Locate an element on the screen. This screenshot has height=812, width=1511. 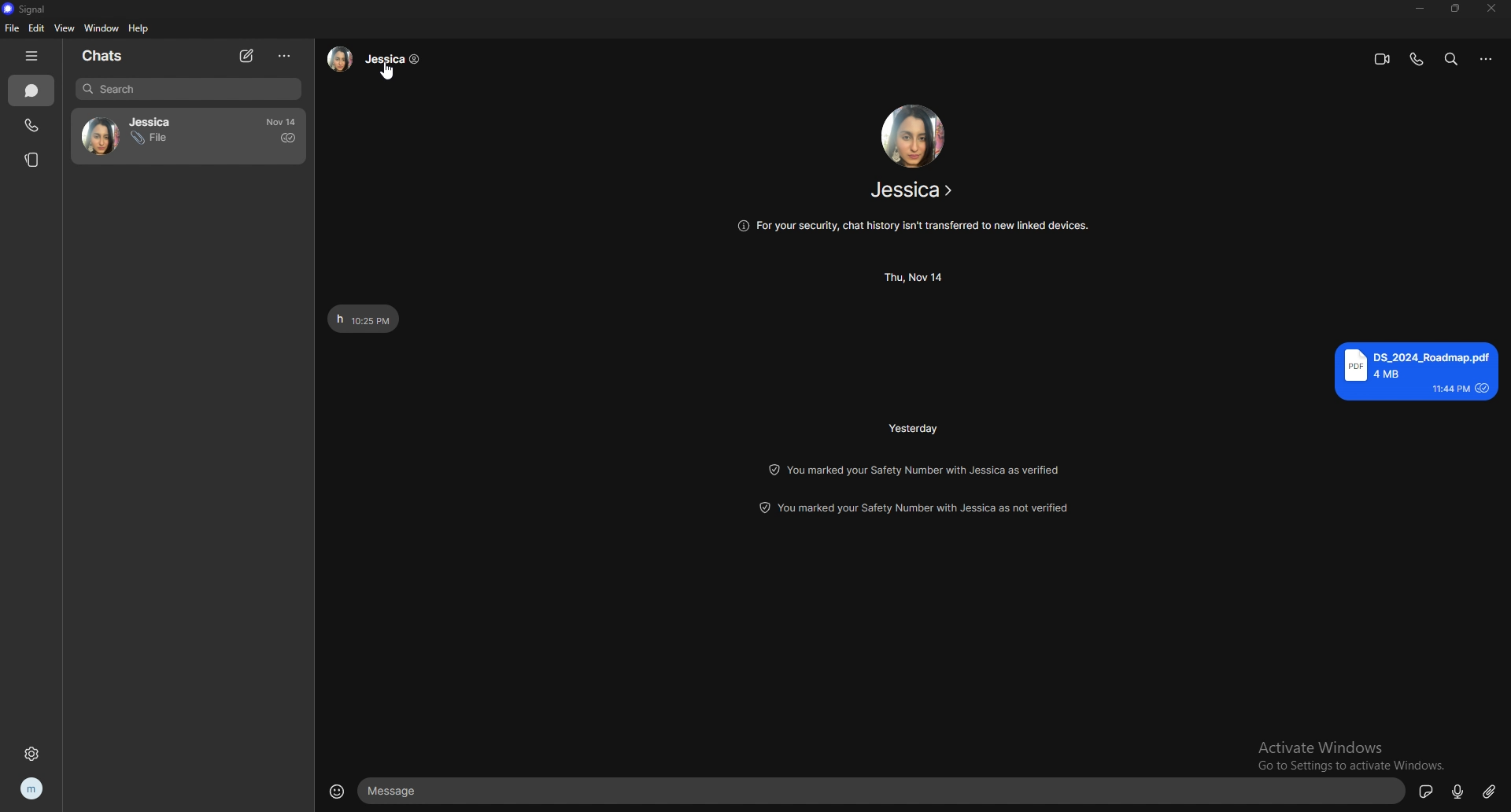
stories is located at coordinates (29, 160).